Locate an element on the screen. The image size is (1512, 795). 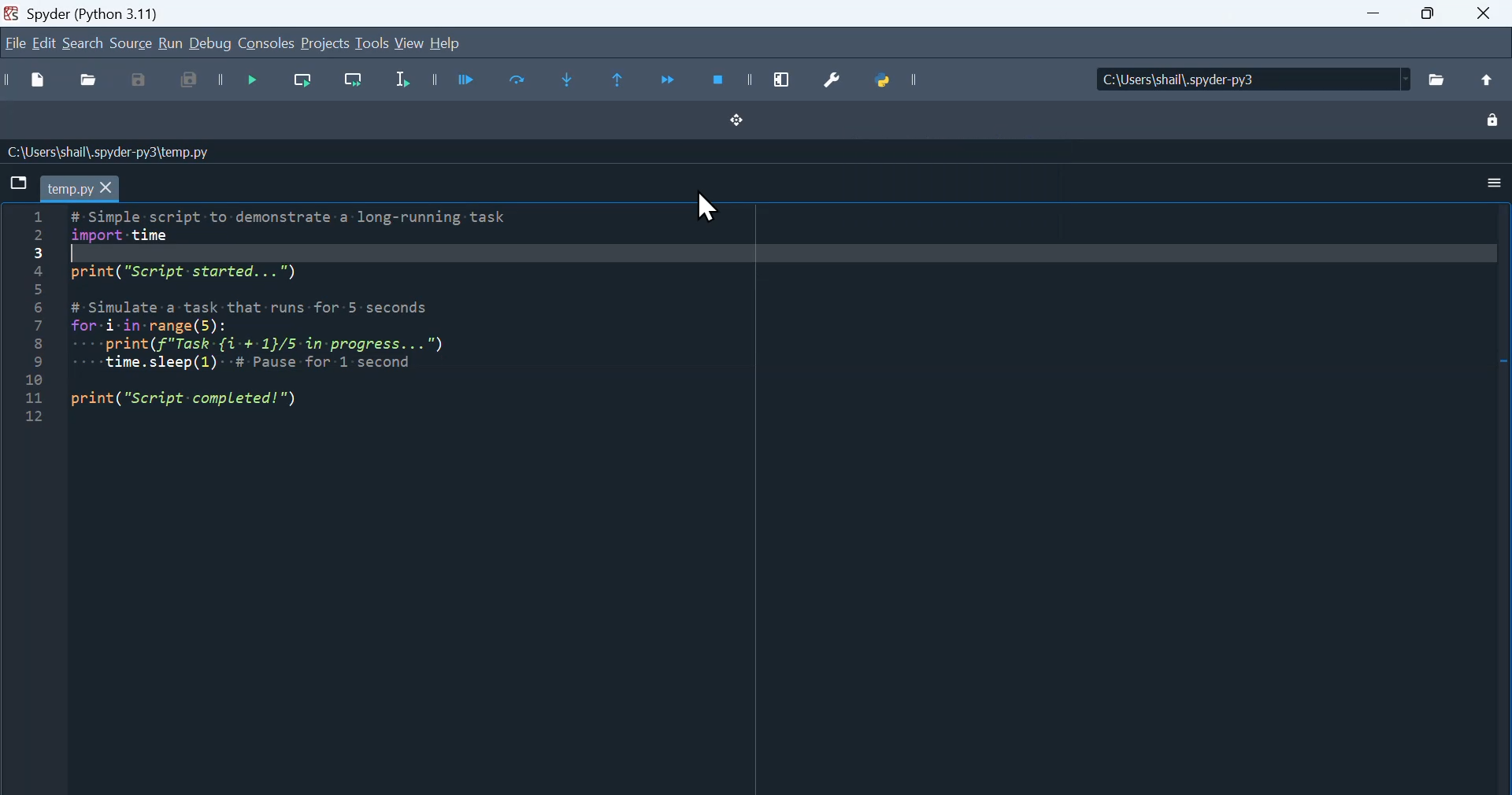
Upload file is located at coordinates (1492, 81).